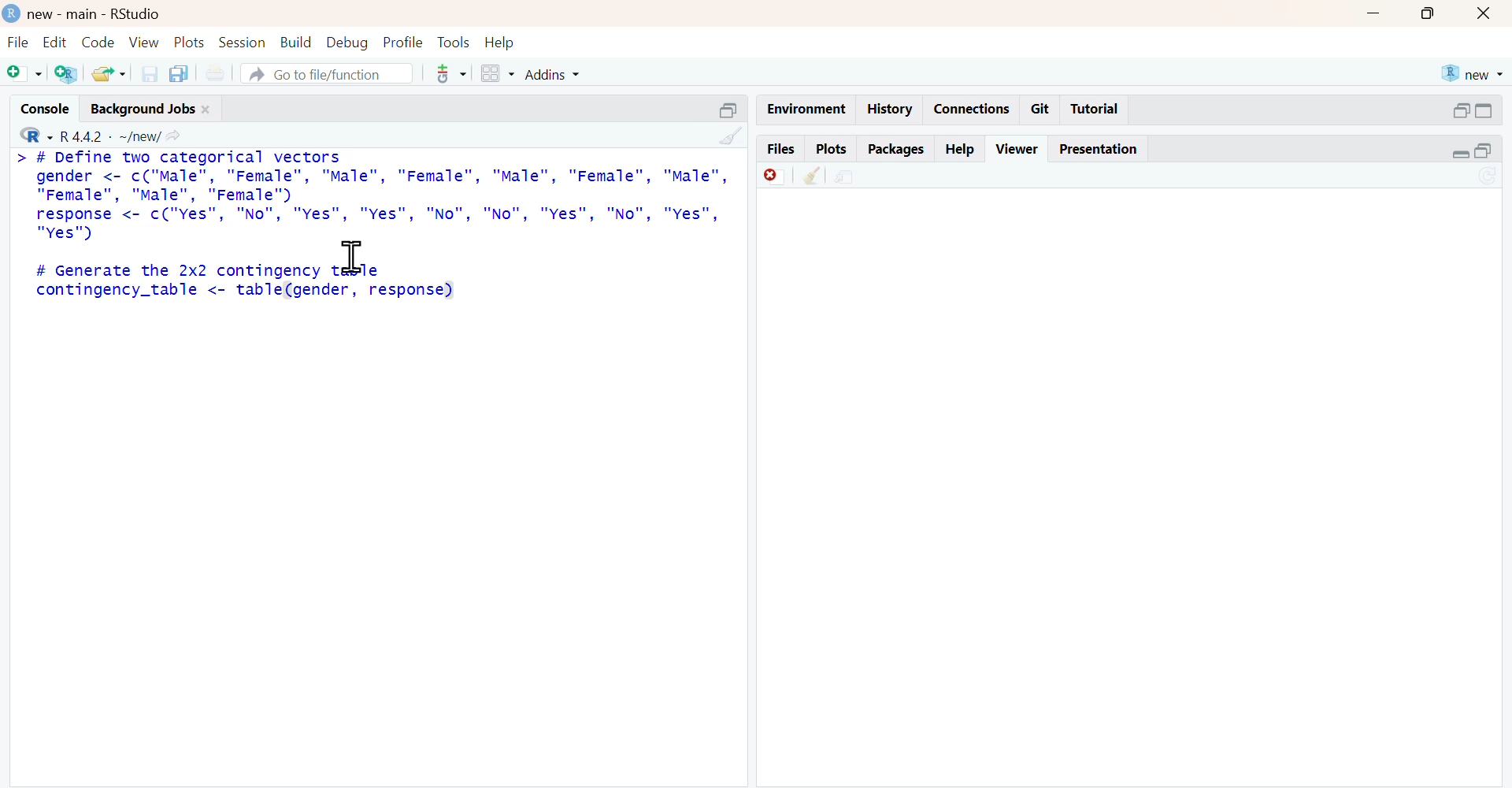  What do you see at coordinates (973, 110) in the screenshot?
I see `connections` at bounding box center [973, 110].